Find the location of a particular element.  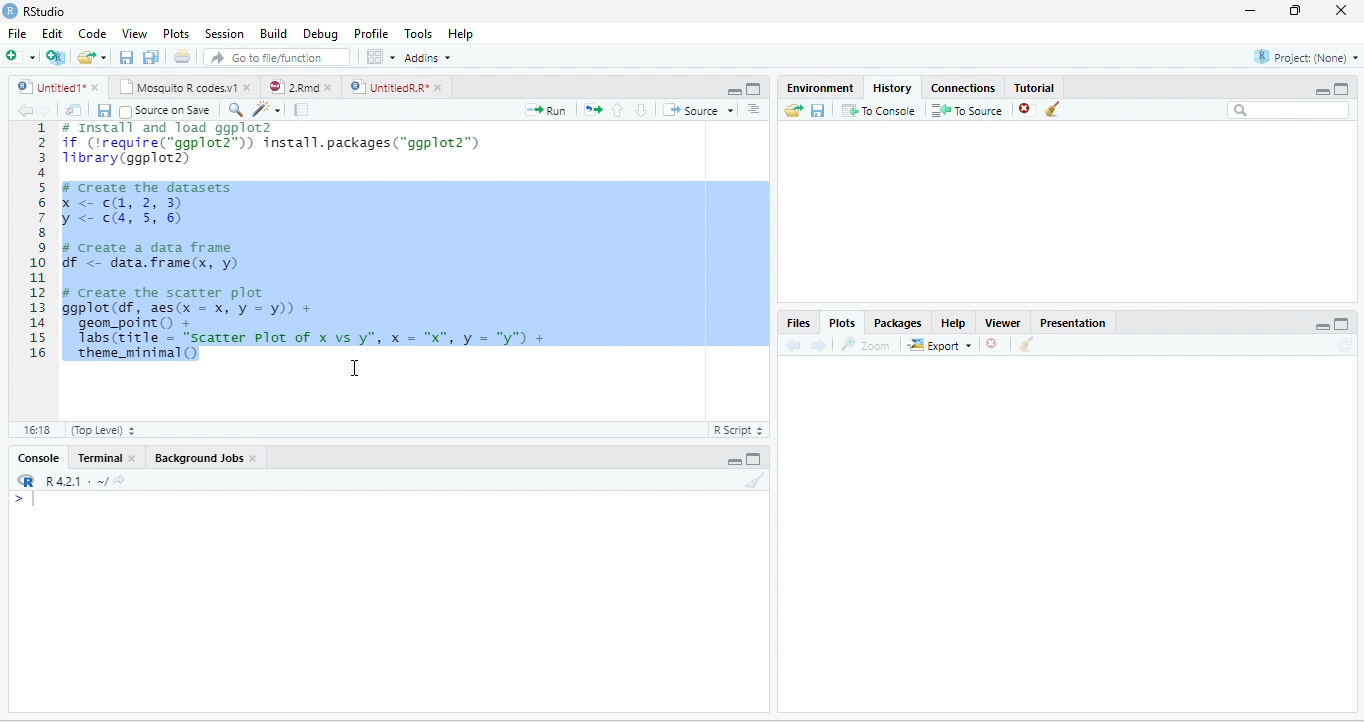

# Install and load ggplot2
if (‘require("ggplot2™)) install.packages("ggplot2”)
1ibrary(ggplot2)
F create the datasets
X <<, 2, 3)
y < cs, 5, 6)
# create a data frame
Gf <- data.frame(x, y)
# Create the scatter plot
ggplot(df, aes(x = x, y = y)) +
geom_point() +
Tabs(title = "scatter Plot of x vs y", x = "x", y = "y") +
‘theme_minimal() is located at coordinates (305, 242).